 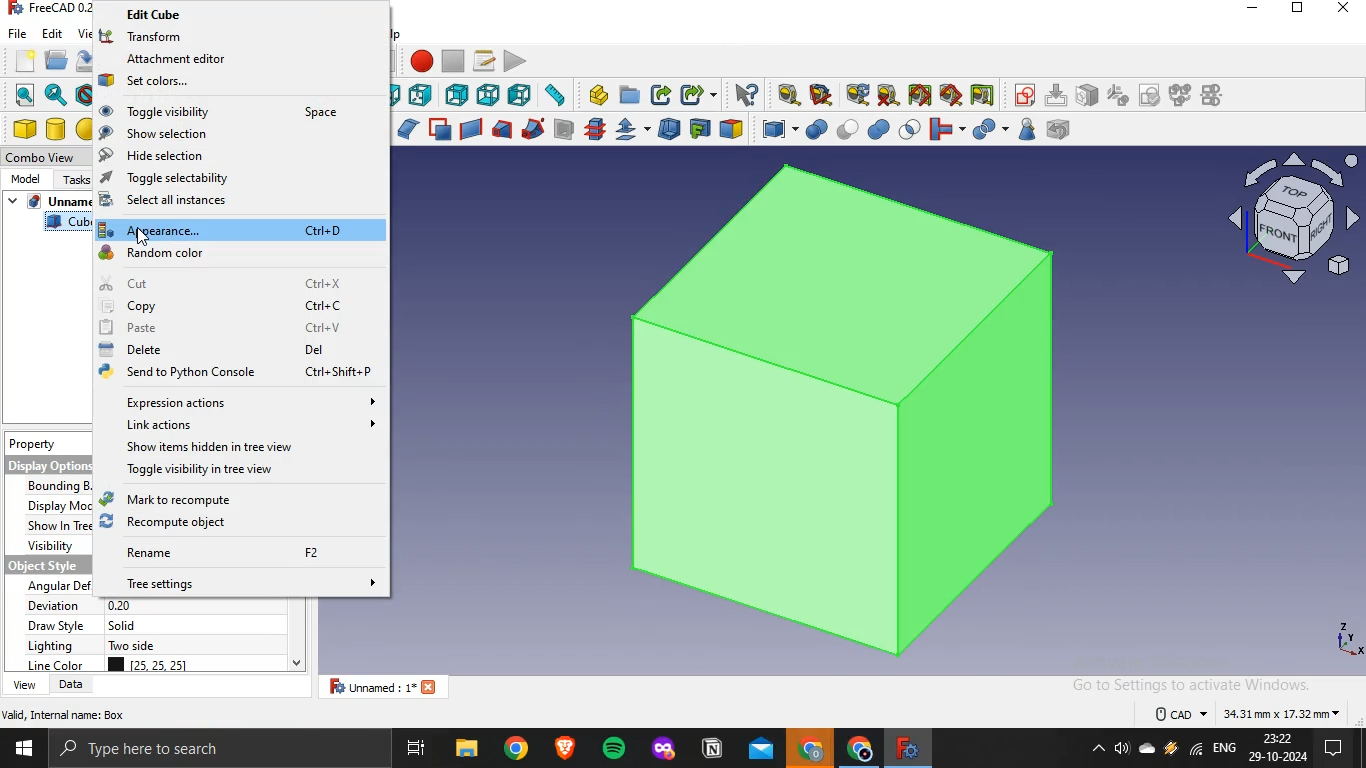 I want to click on section, so click(x=563, y=129).